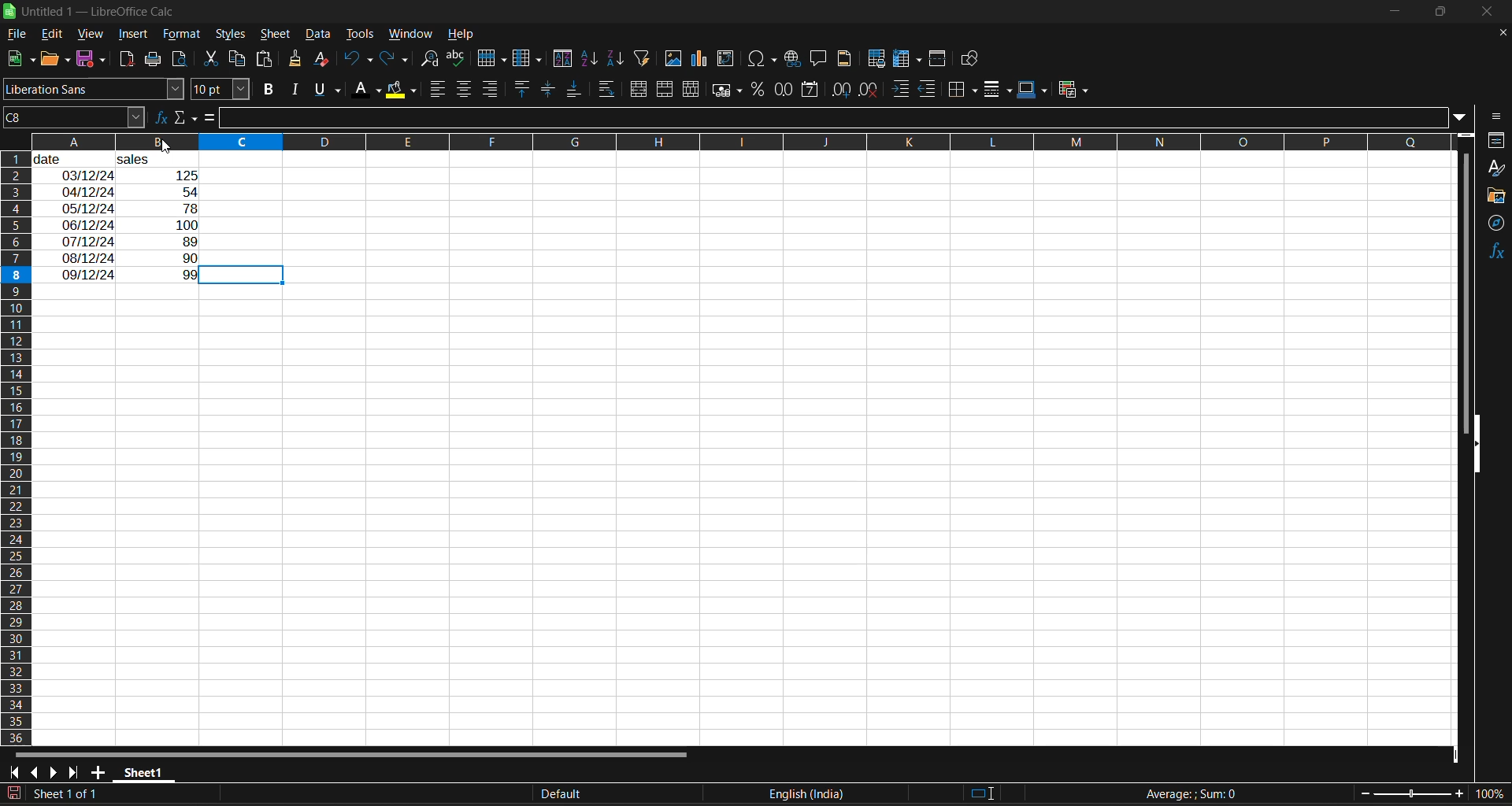  Describe the element at coordinates (239, 58) in the screenshot. I see `copy` at that location.